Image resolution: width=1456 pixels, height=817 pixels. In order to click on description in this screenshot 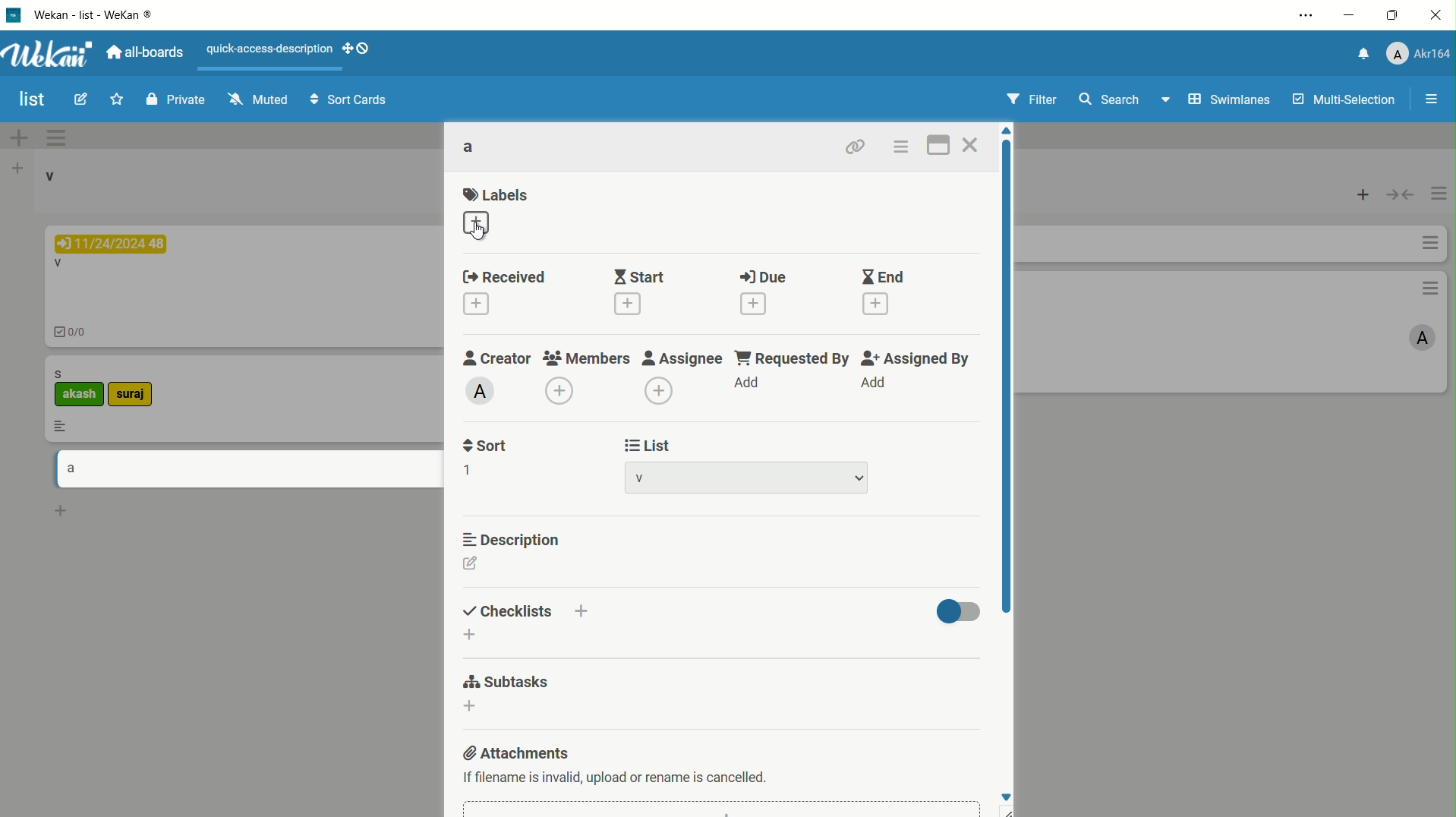, I will do `click(509, 541)`.